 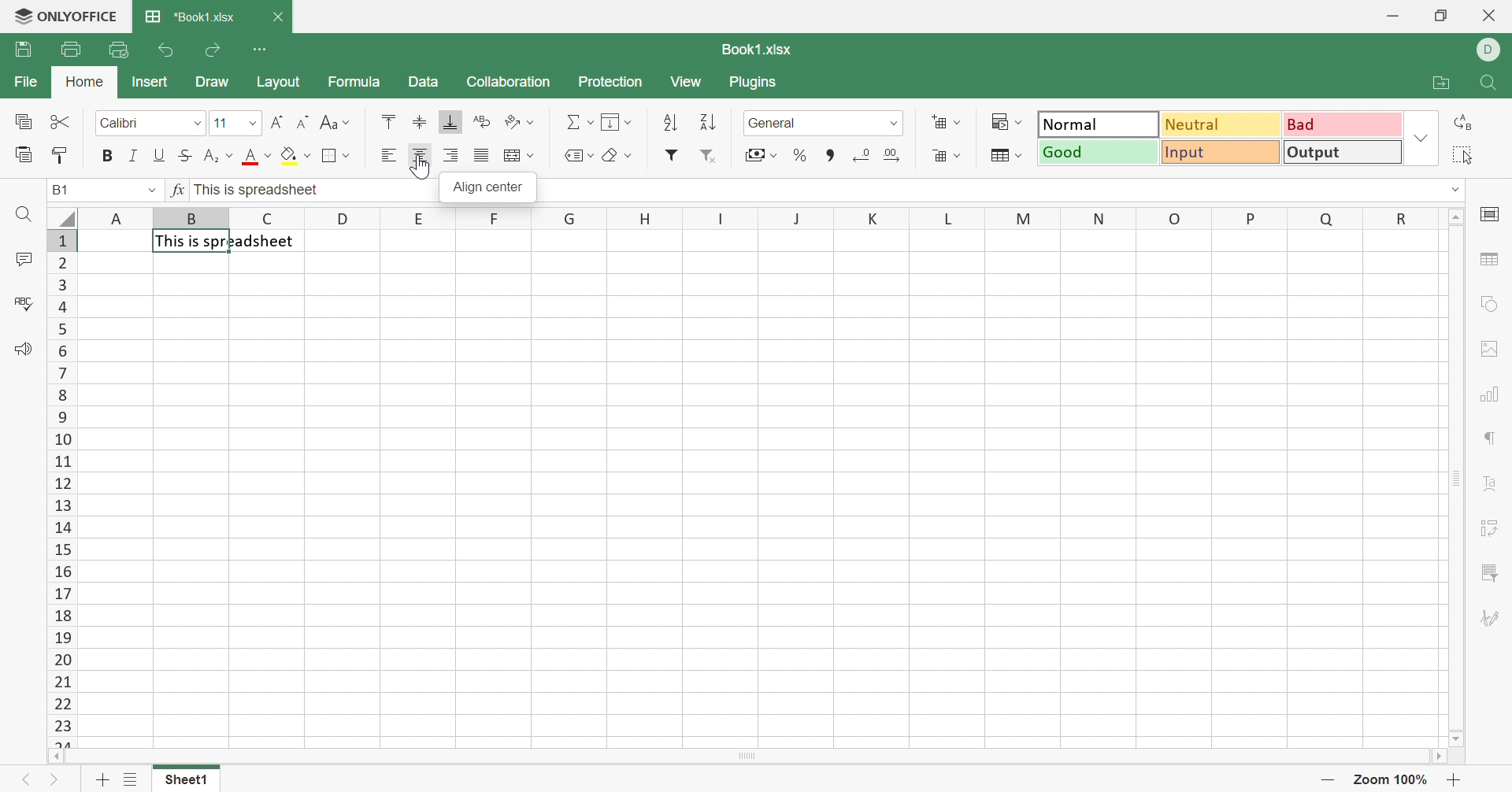 I want to click on Add sheets, so click(x=104, y=779).